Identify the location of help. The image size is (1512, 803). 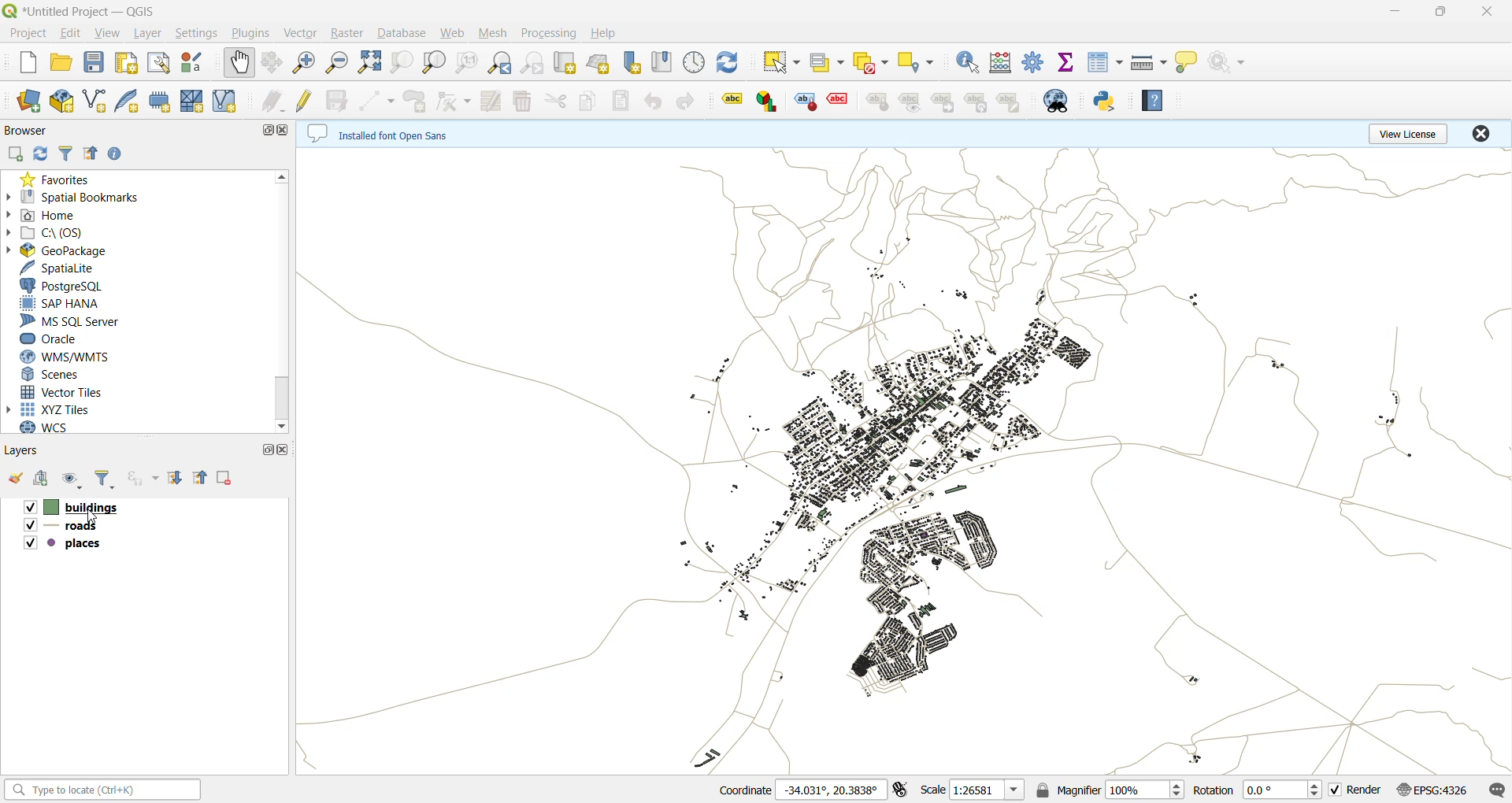
(607, 33).